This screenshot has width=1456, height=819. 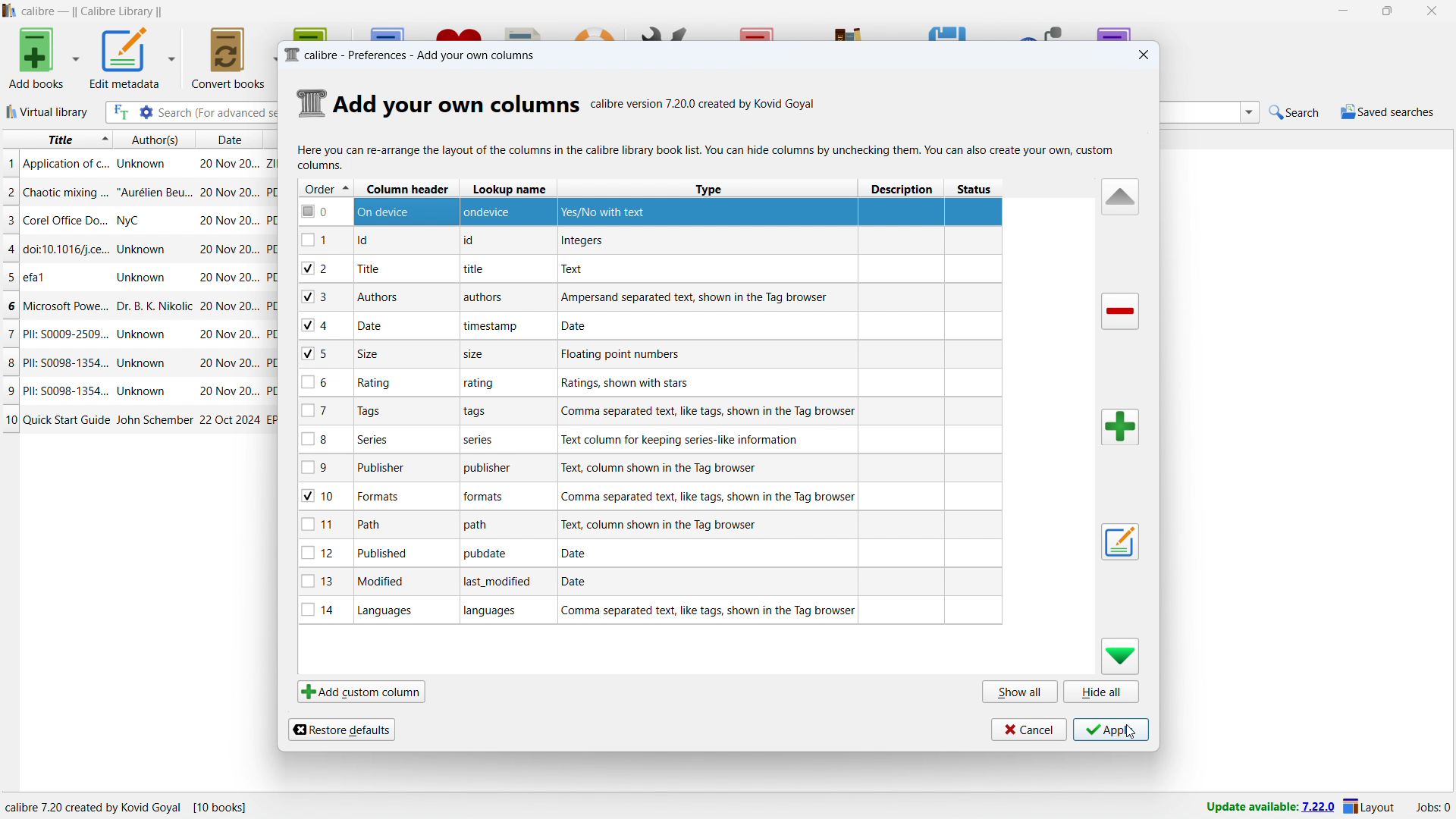 I want to click on title, so click(x=92, y=11).